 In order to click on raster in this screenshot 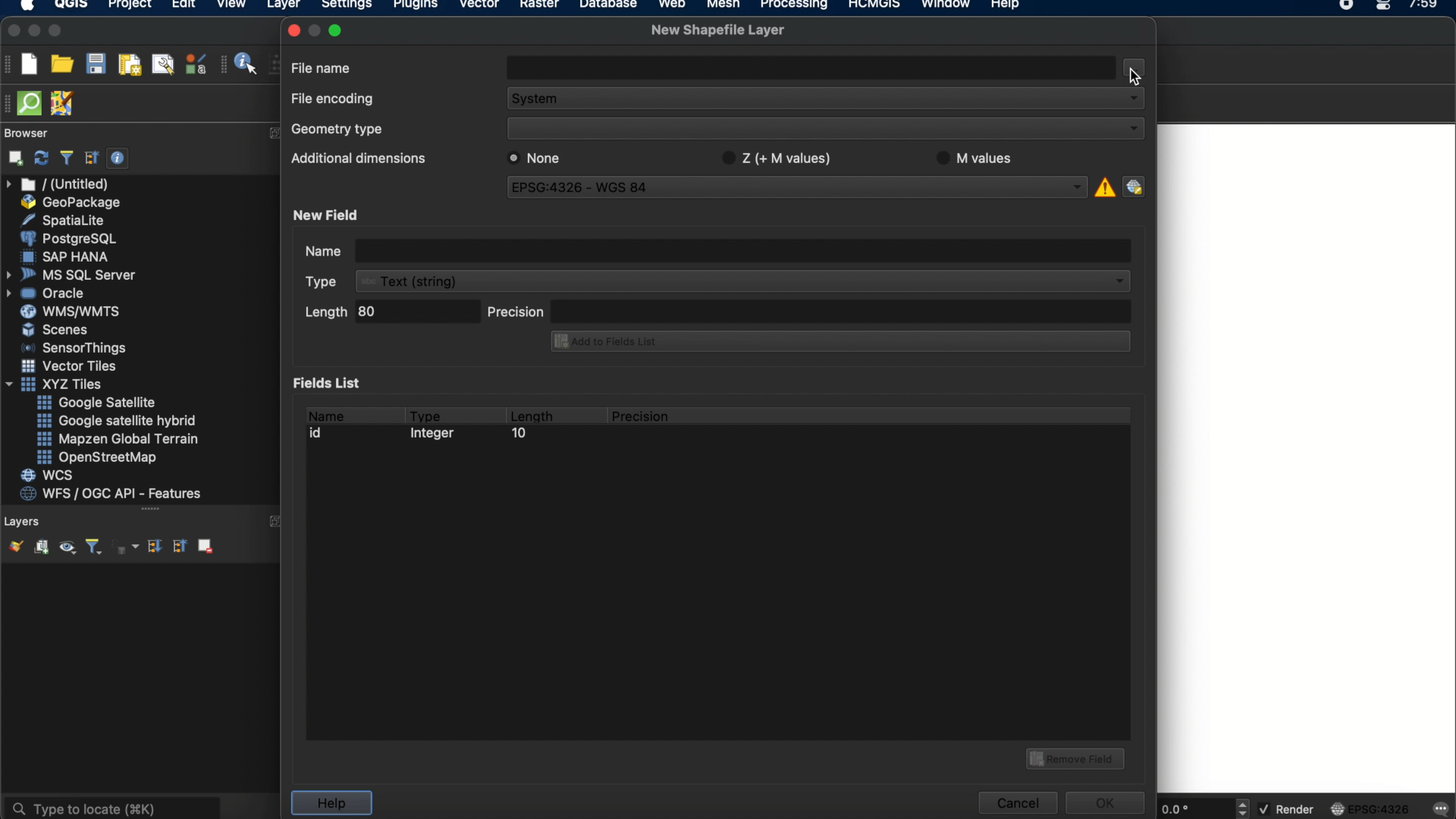, I will do `click(538, 6)`.